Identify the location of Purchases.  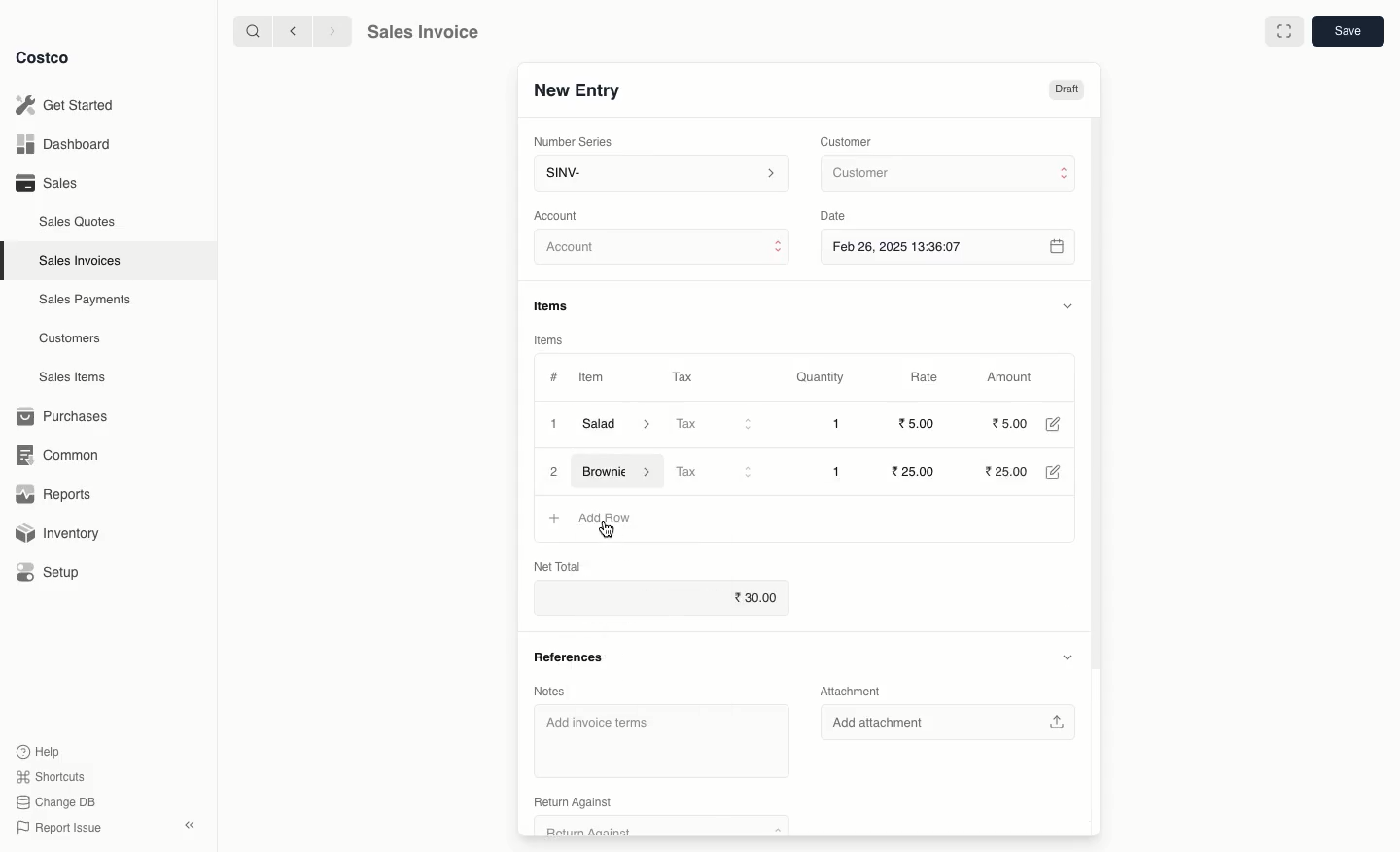
(67, 416).